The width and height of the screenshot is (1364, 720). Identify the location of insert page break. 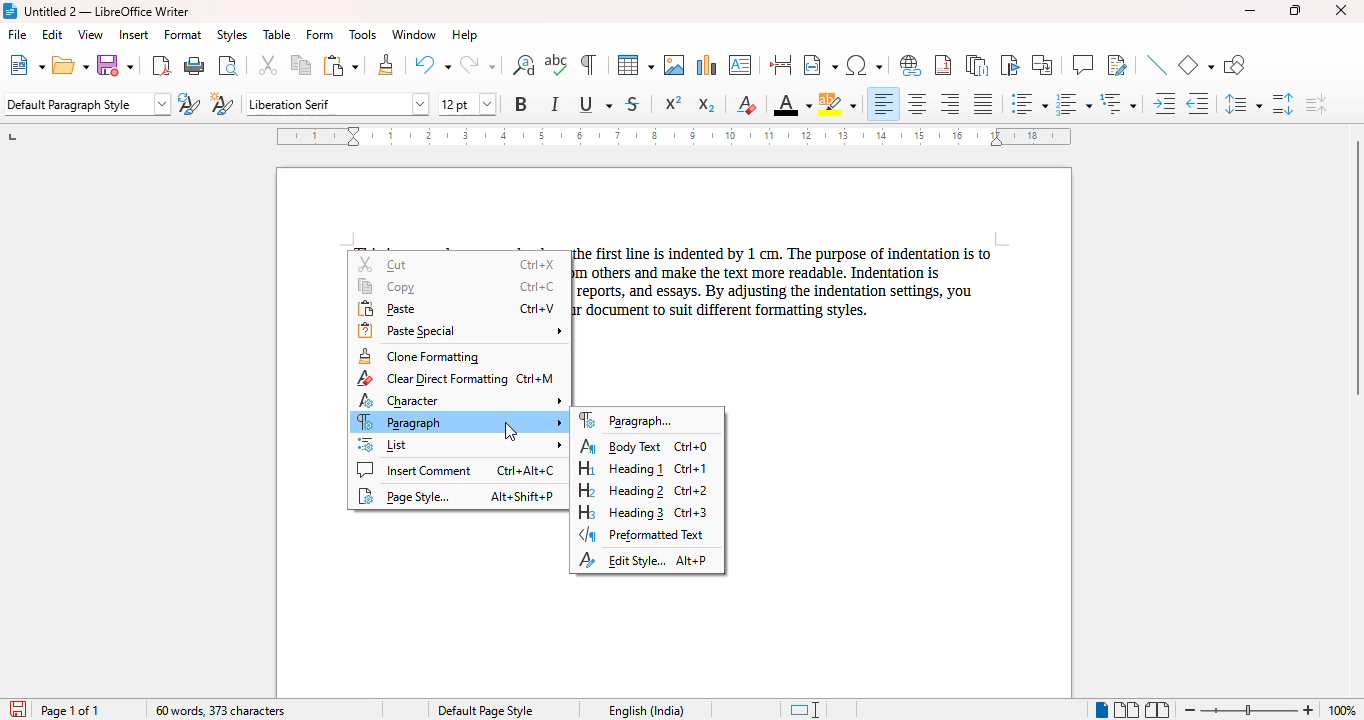
(780, 65).